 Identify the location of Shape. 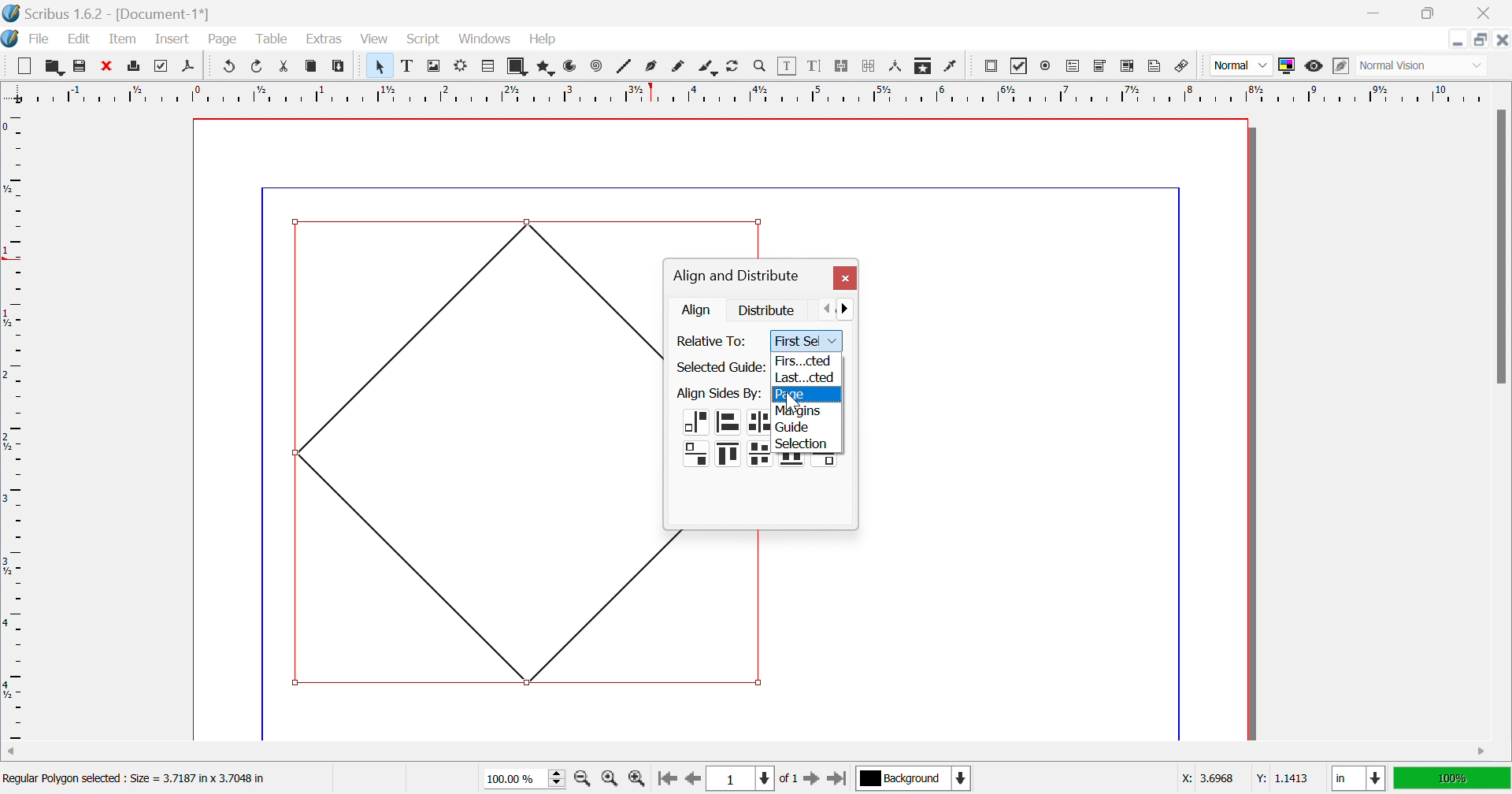
(520, 67).